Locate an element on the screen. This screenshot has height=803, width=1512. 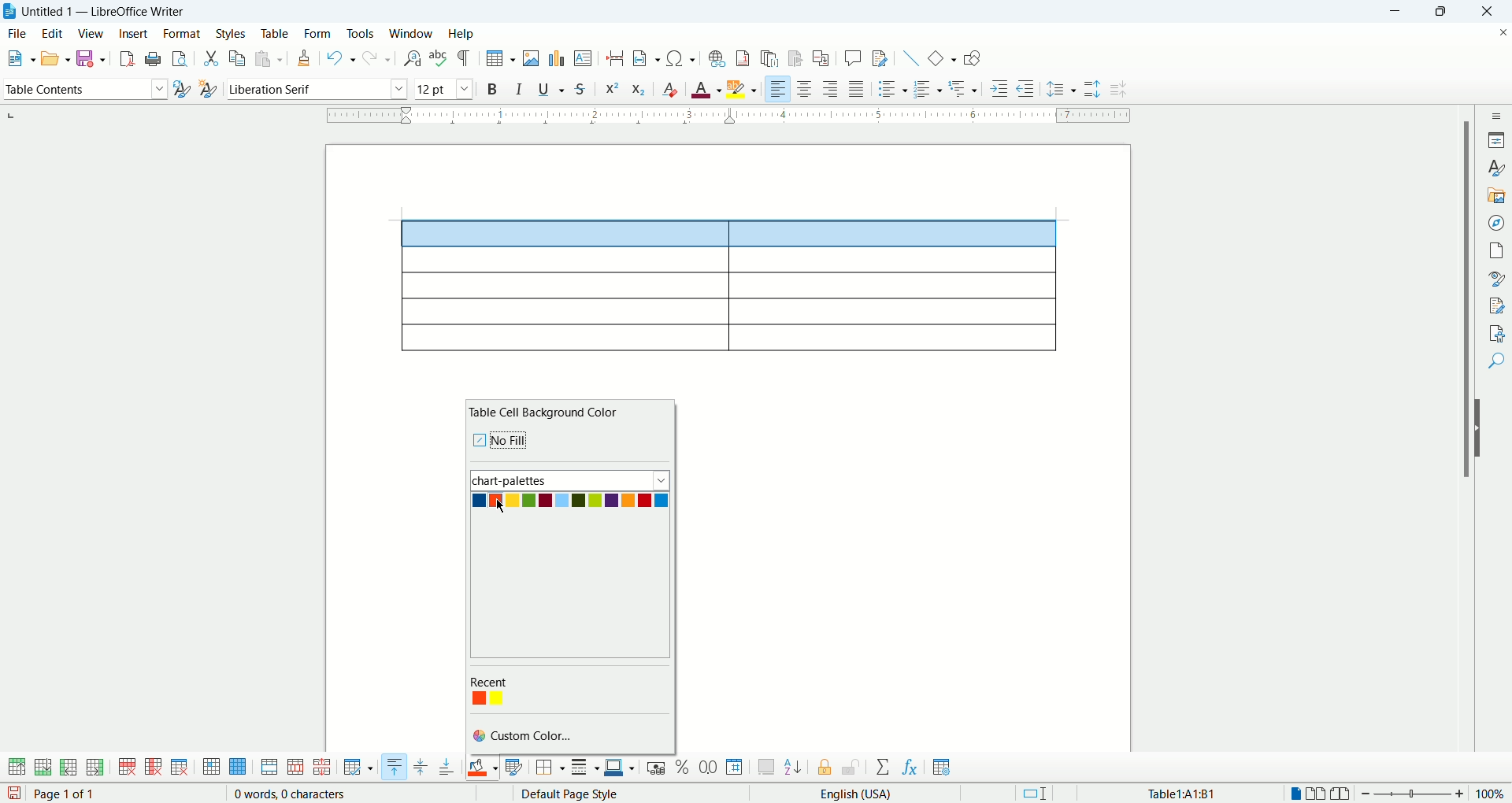
format is located at coordinates (182, 33).